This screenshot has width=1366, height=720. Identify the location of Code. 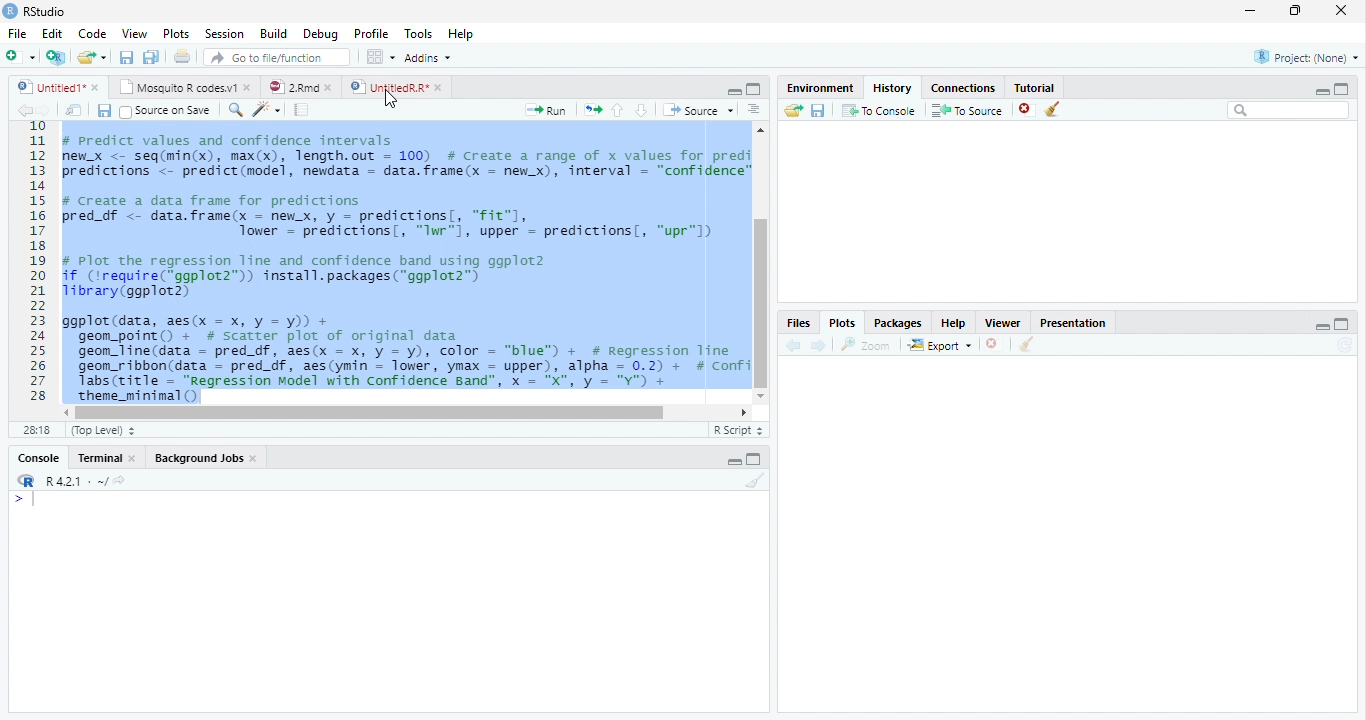
(93, 34).